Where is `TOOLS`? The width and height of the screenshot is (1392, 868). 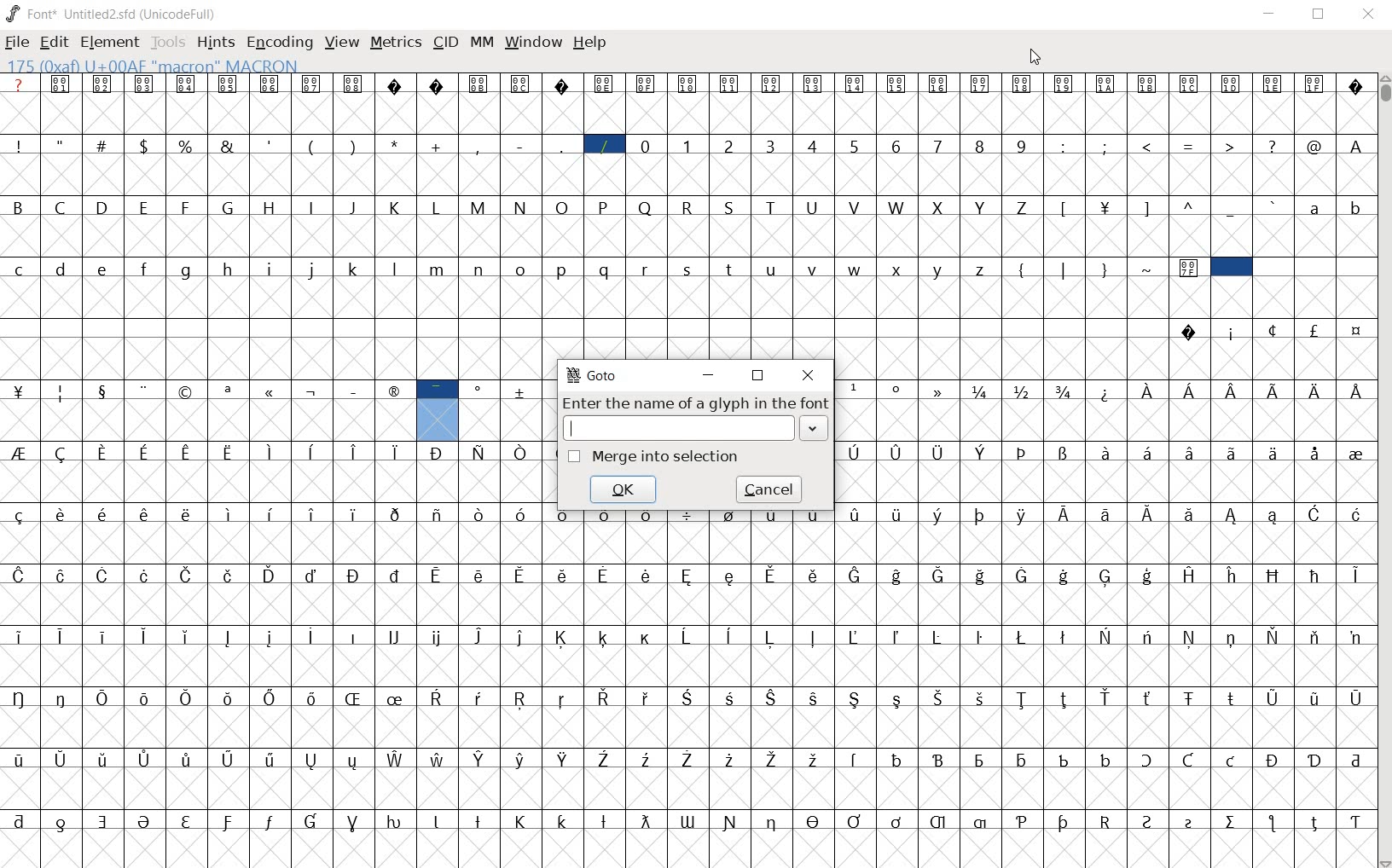
TOOLS is located at coordinates (167, 42).